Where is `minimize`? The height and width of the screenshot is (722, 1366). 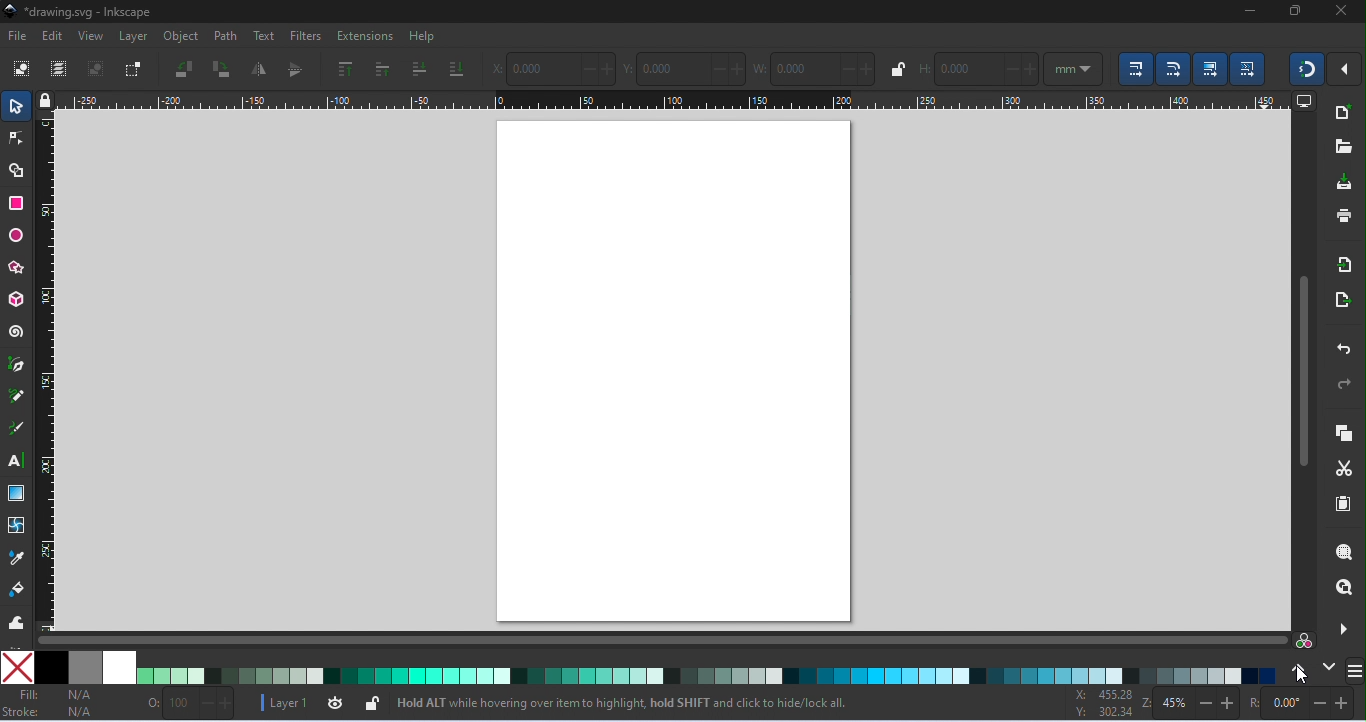
minimize is located at coordinates (1250, 12).